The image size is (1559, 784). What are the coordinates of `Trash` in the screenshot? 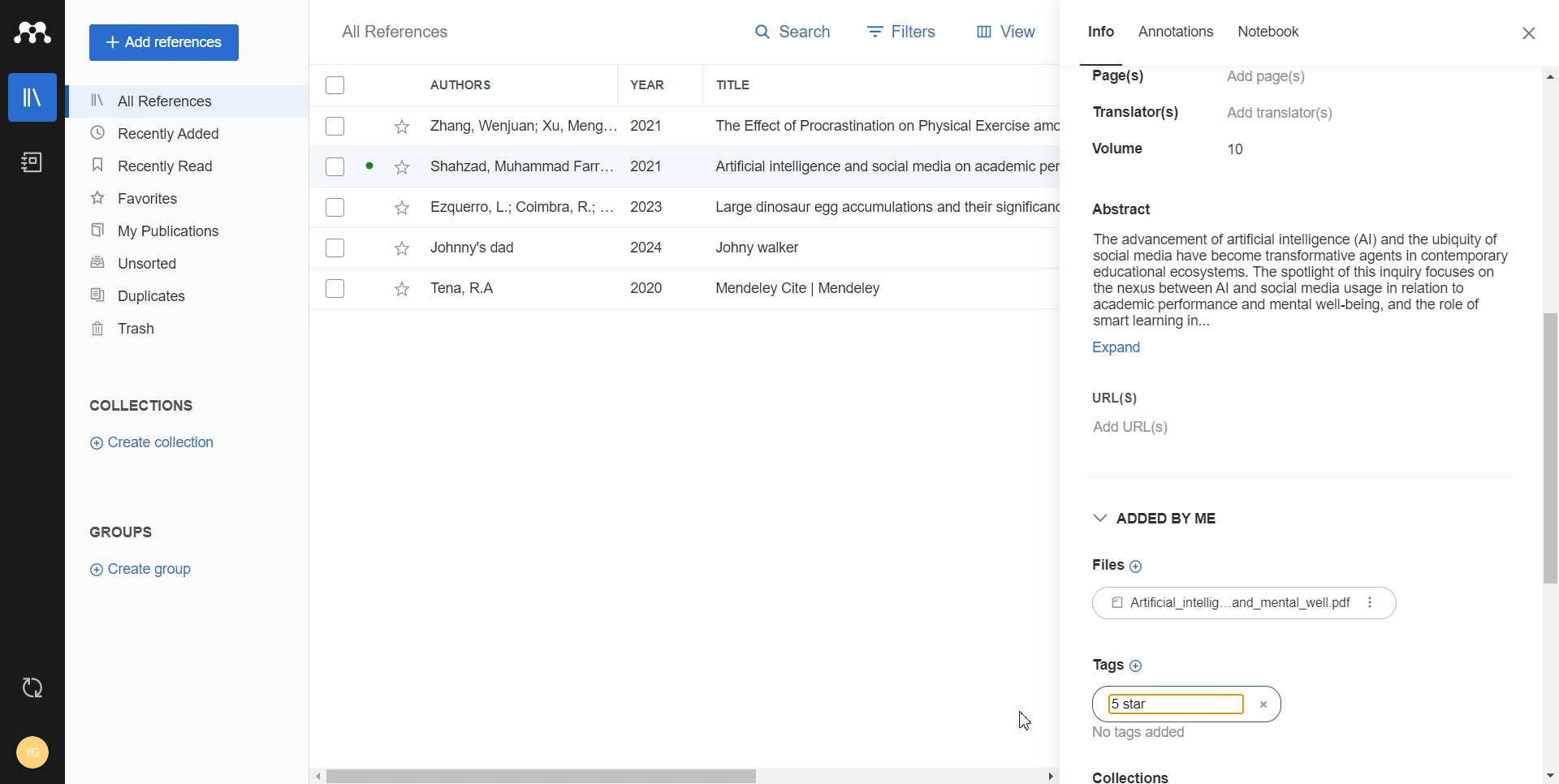 It's located at (184, 329).